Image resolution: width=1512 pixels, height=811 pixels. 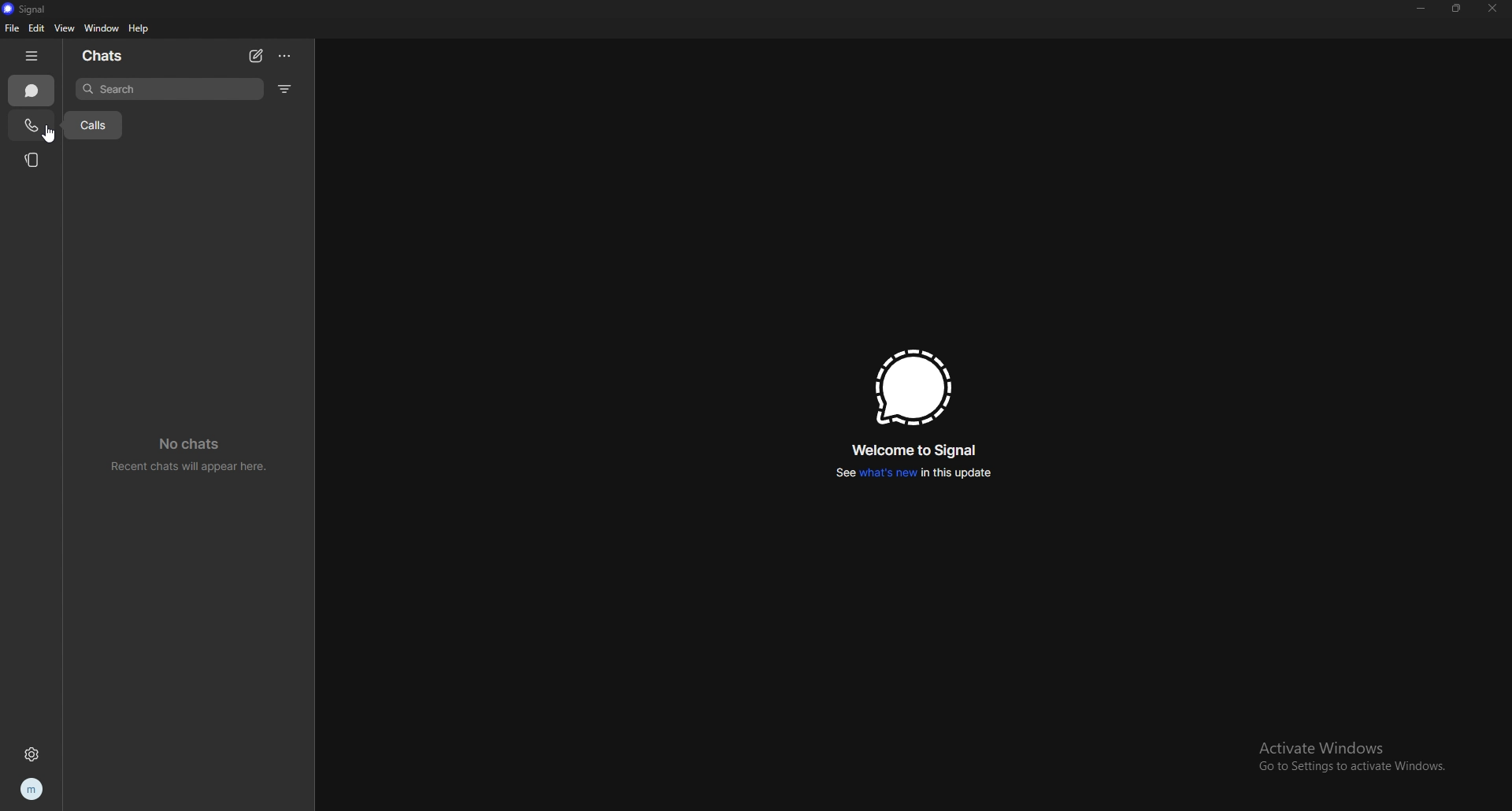 What do you see at coordinates (31, 754) in the screenshot?
I see `settings` at bounding box center [31, 754].